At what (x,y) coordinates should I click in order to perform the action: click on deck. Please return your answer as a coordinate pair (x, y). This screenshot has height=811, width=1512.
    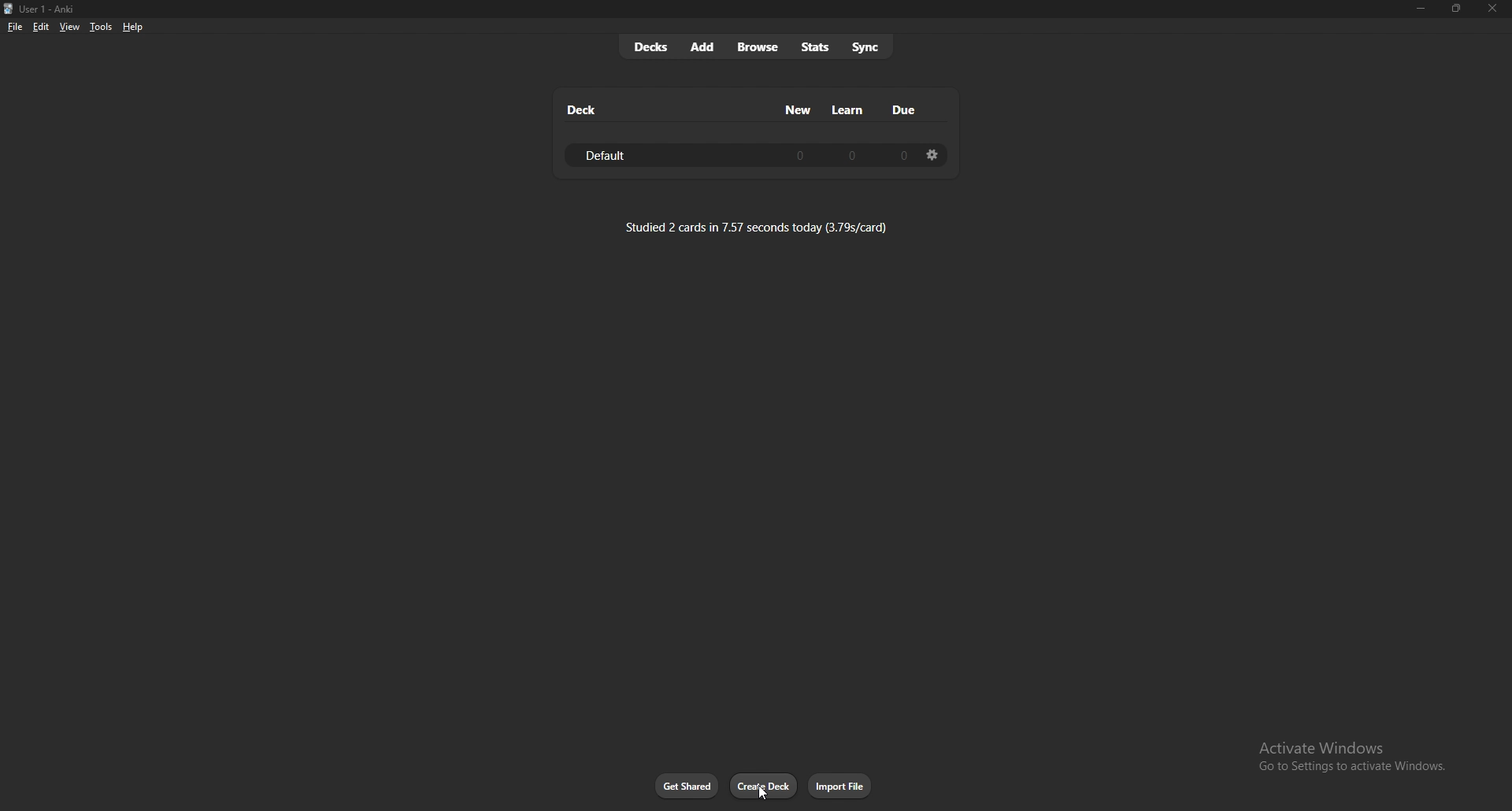
    Looking at the image, I should click on (583, 109).